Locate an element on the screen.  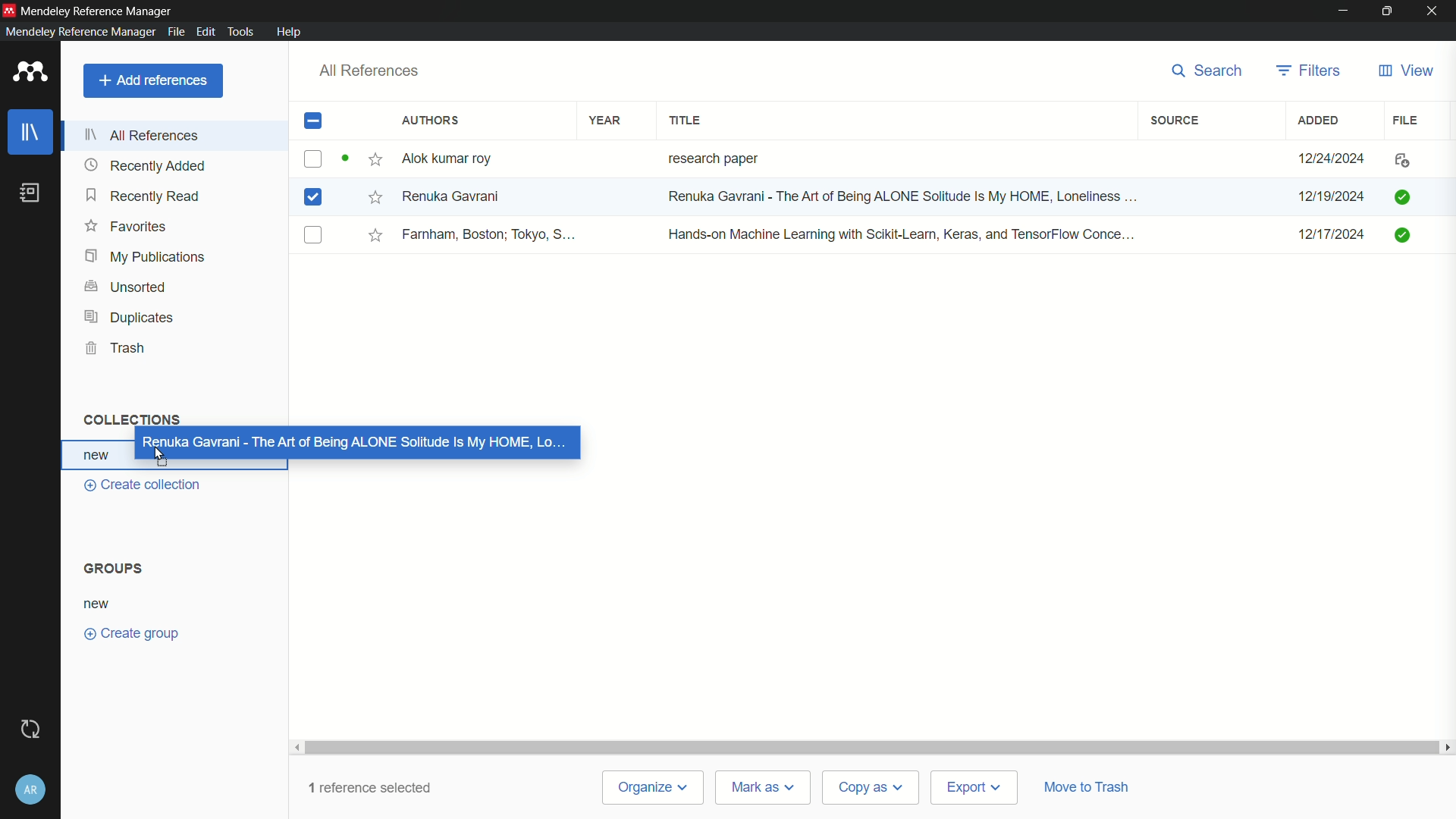
library is located at coordinates (32, 134).